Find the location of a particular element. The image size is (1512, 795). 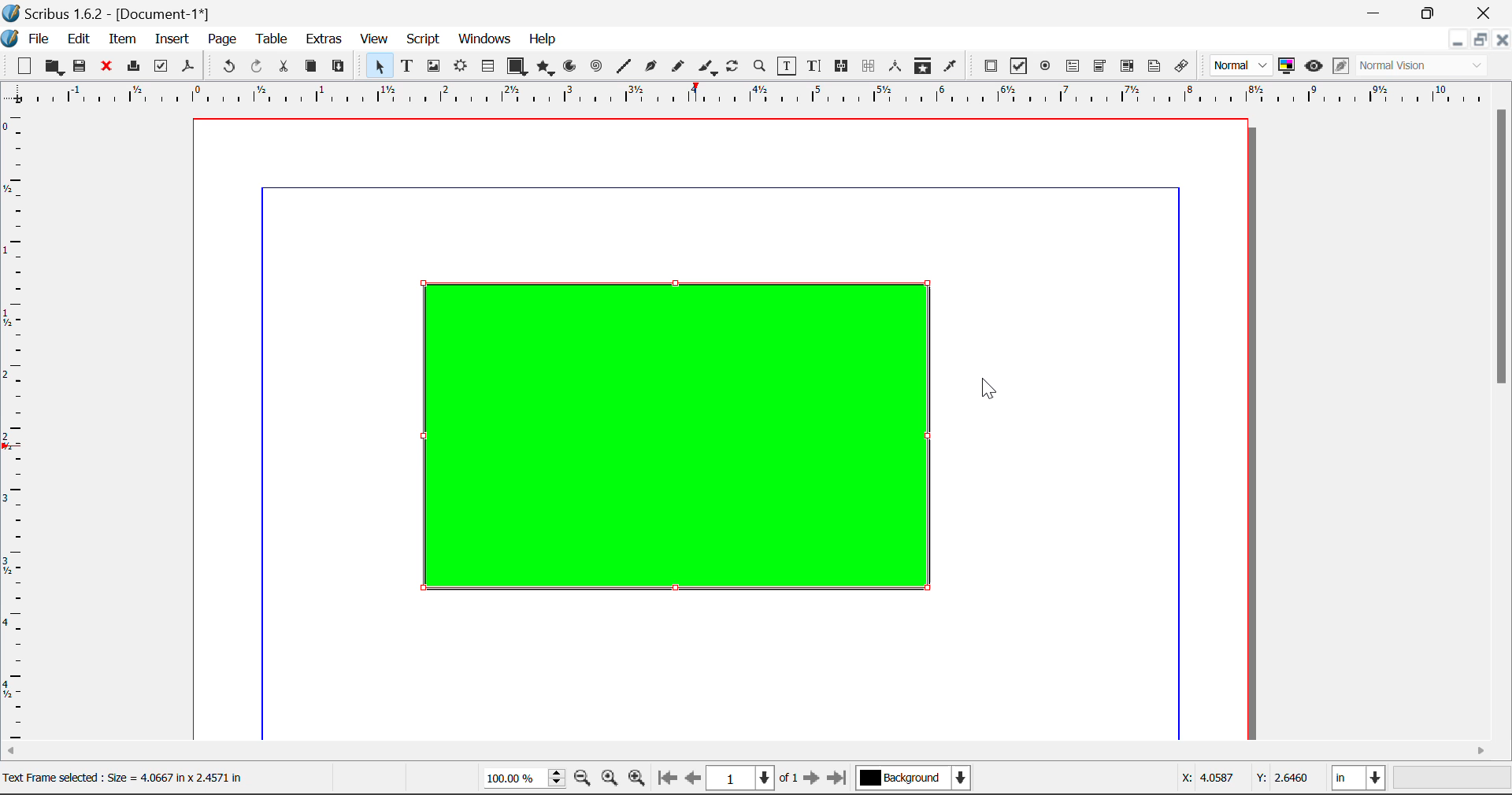

Edit in Preview Mode is located at coordinates (1340, 68).